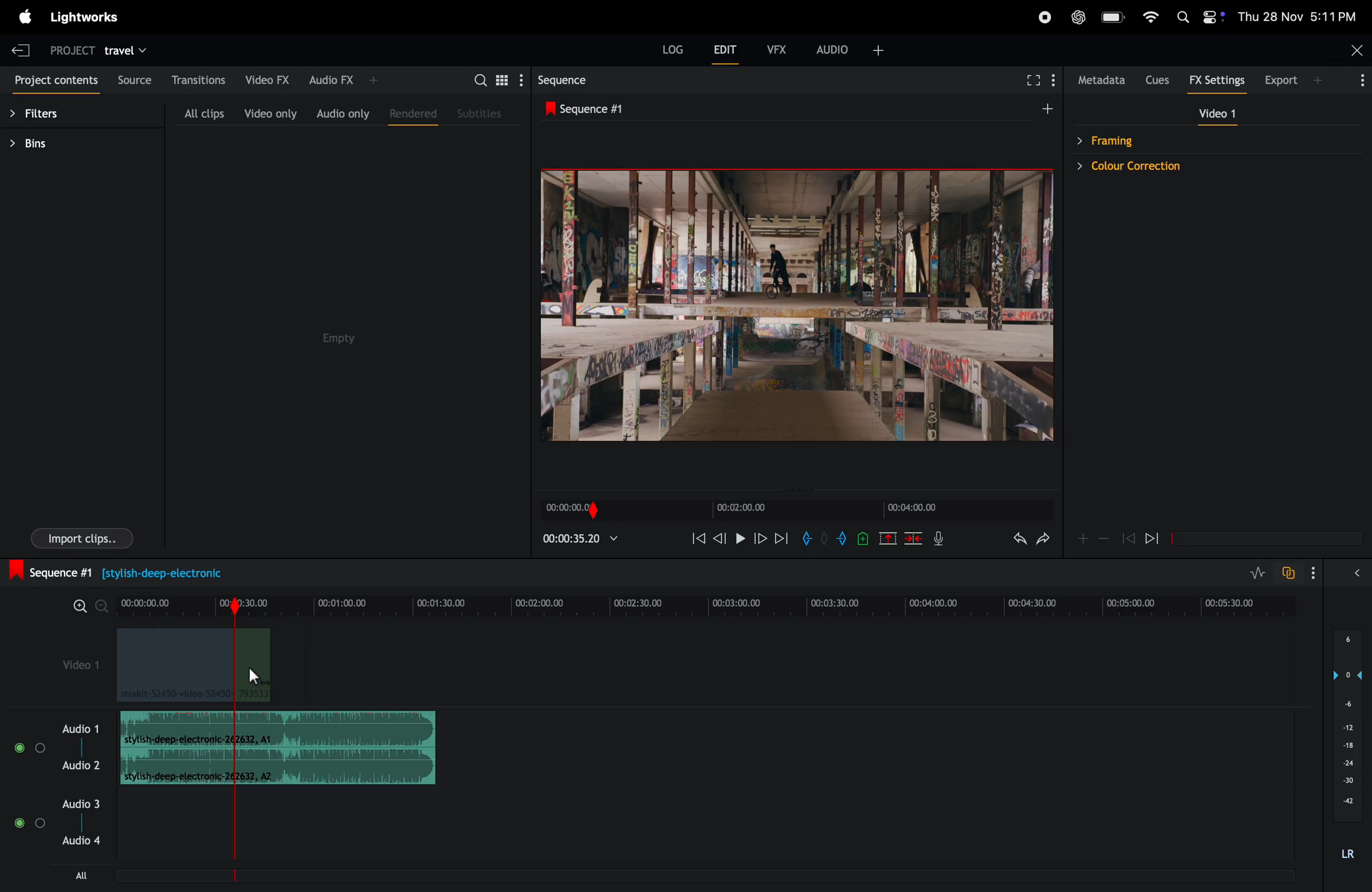 The image size is (1372, 892). What do you see at coordinates (1287, 80) in the screenshot?
I see `export` at bounding box center [1287, 80].